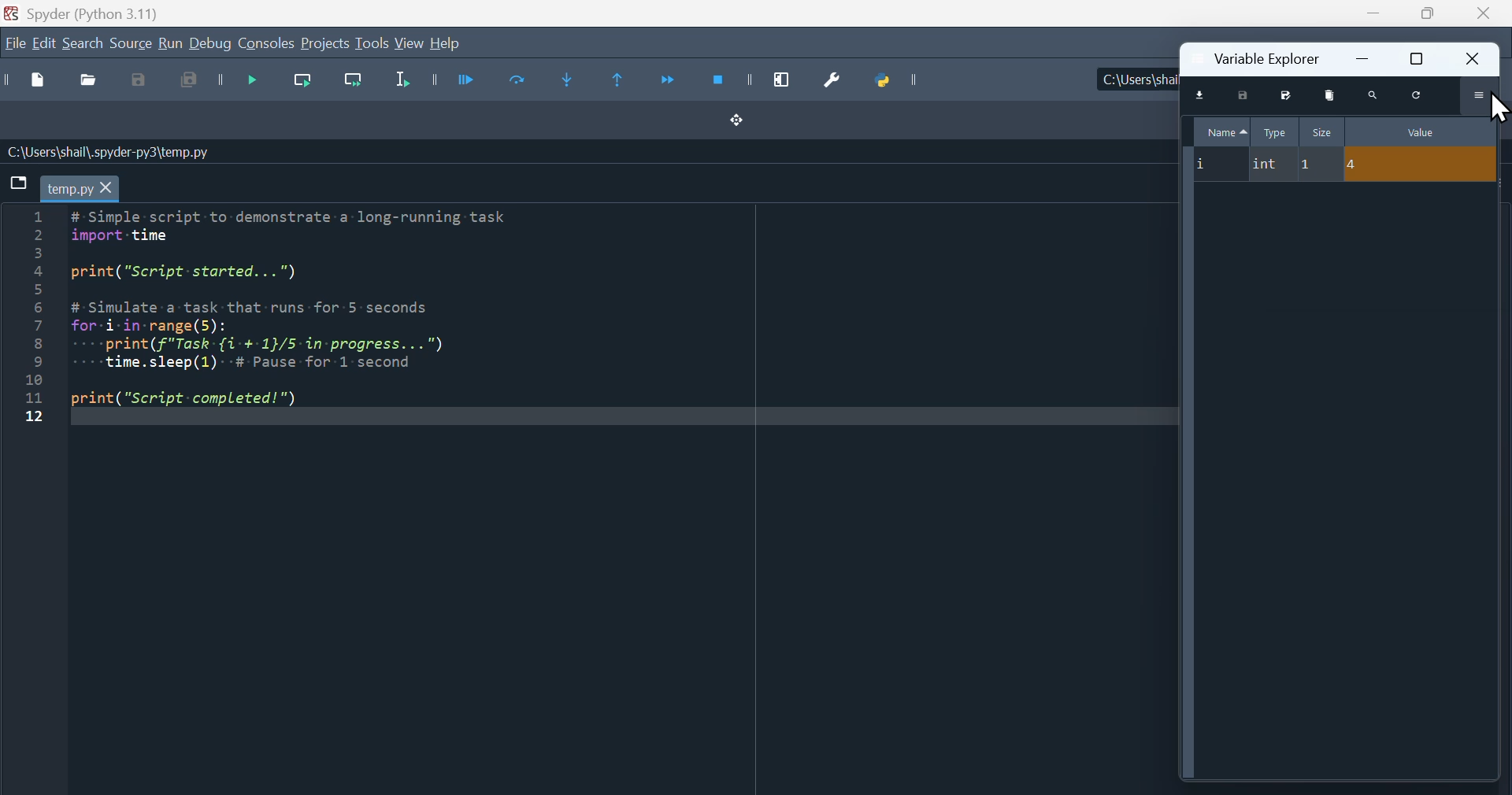 The width and height of the screenshot is (1512, 795). Describe the element at coordinates (402, 84) in the screenshot. I see `Run selection` at that location.